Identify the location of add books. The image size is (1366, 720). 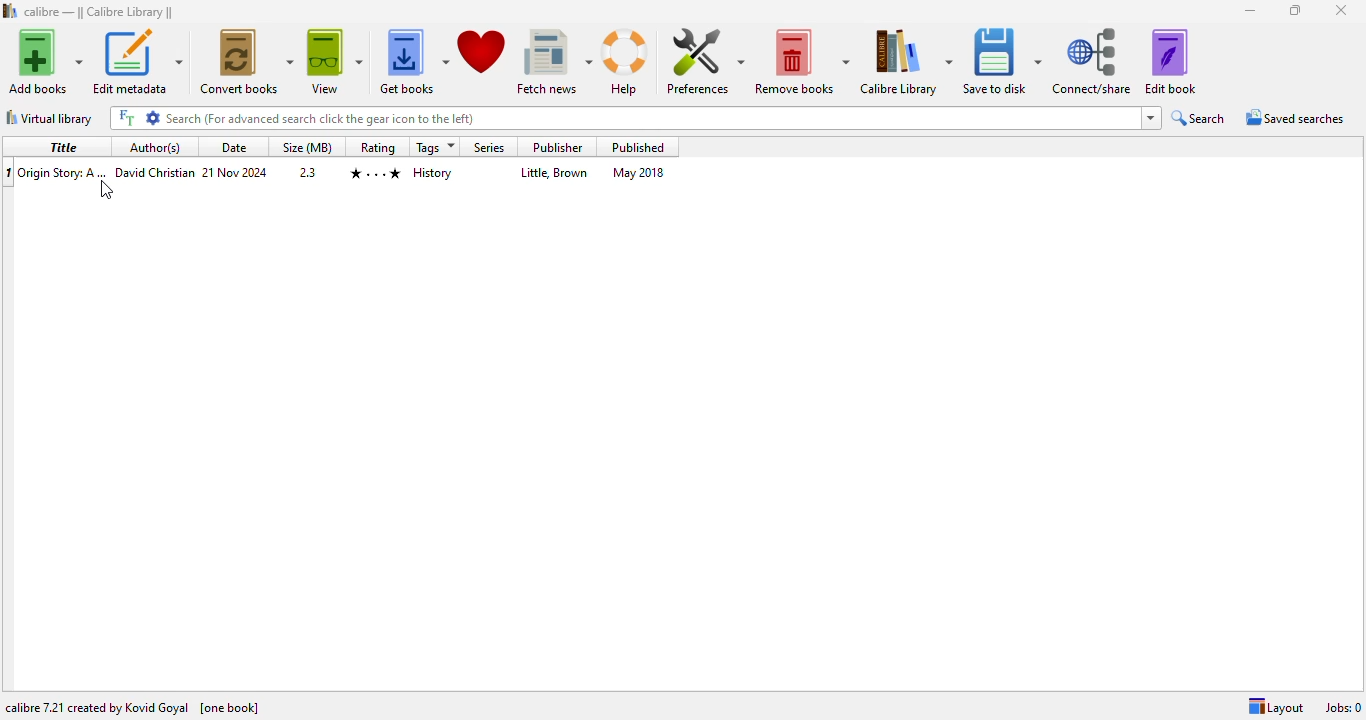
(45, 61).